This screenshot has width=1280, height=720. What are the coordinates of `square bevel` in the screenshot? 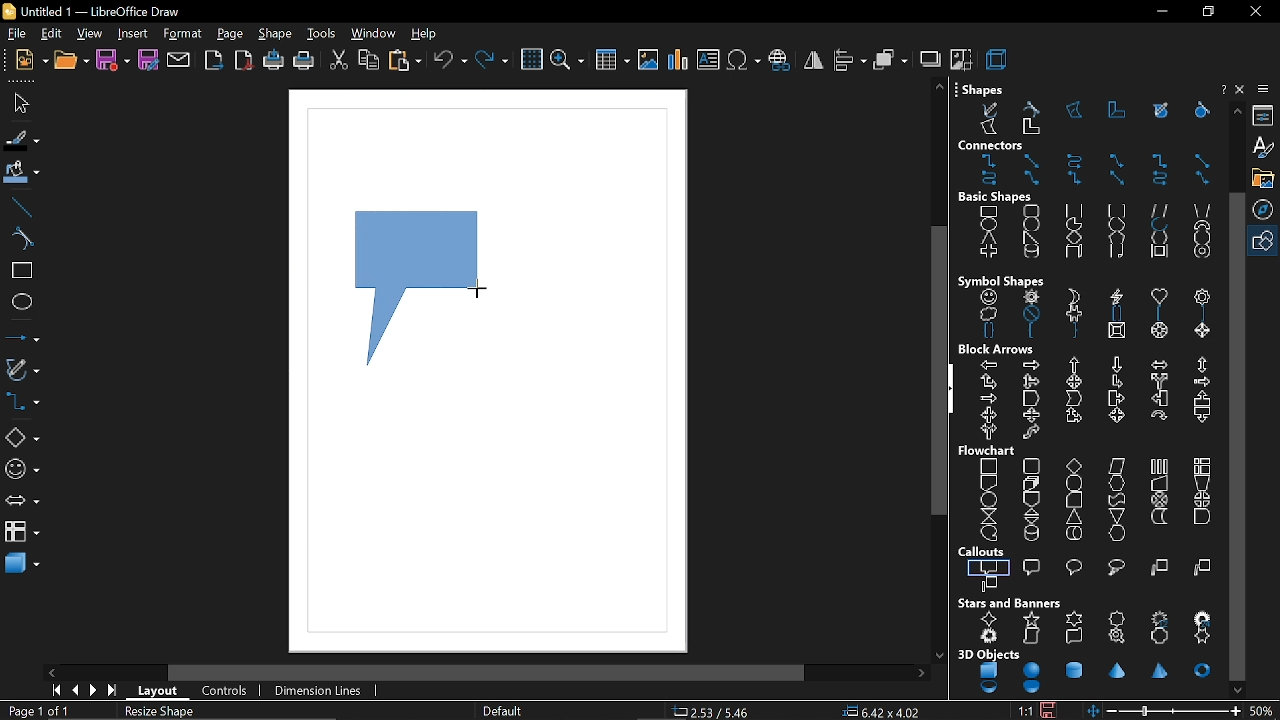 It's located at (1117, 333).